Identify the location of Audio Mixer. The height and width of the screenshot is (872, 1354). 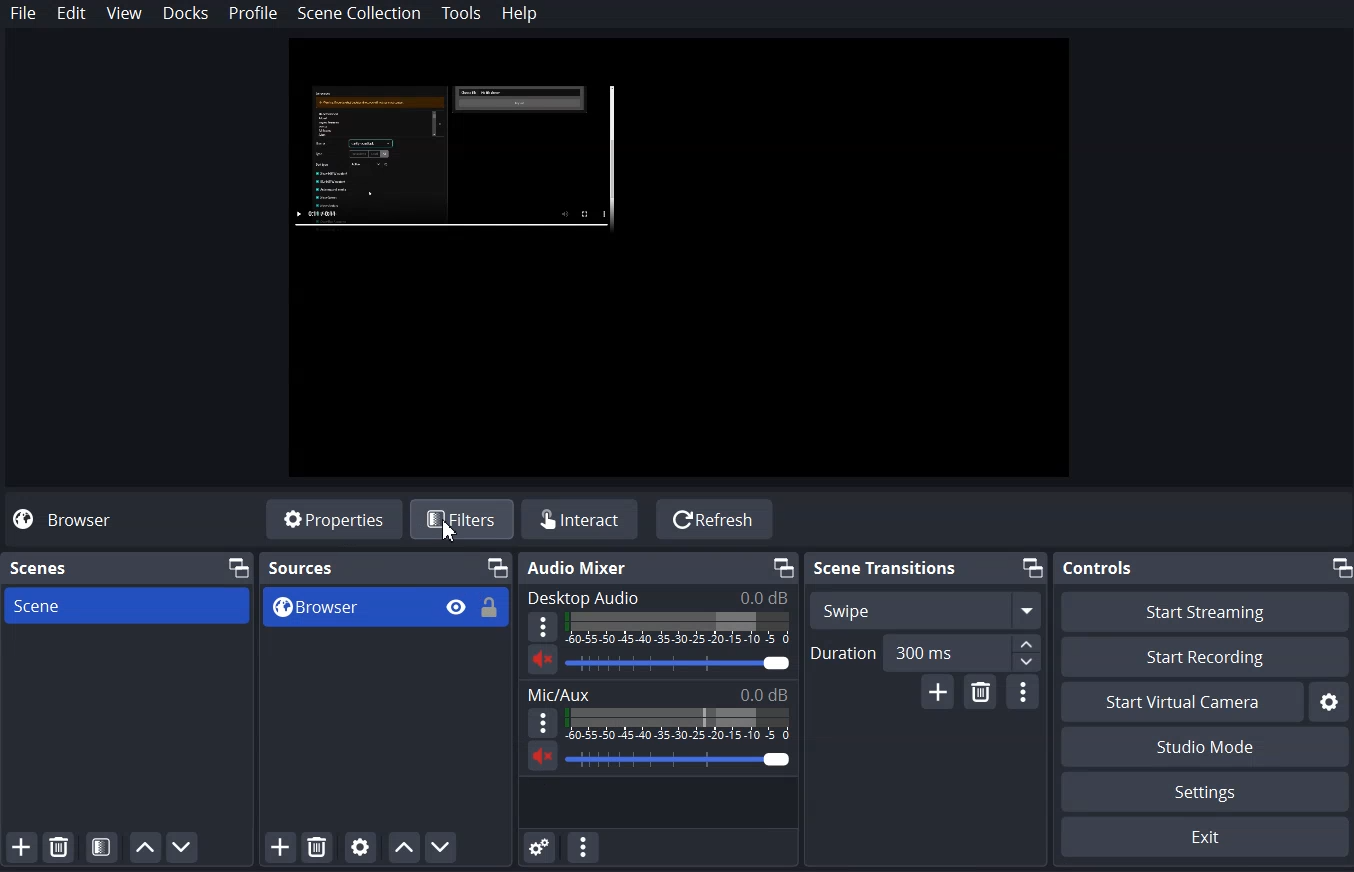
(578, 568).